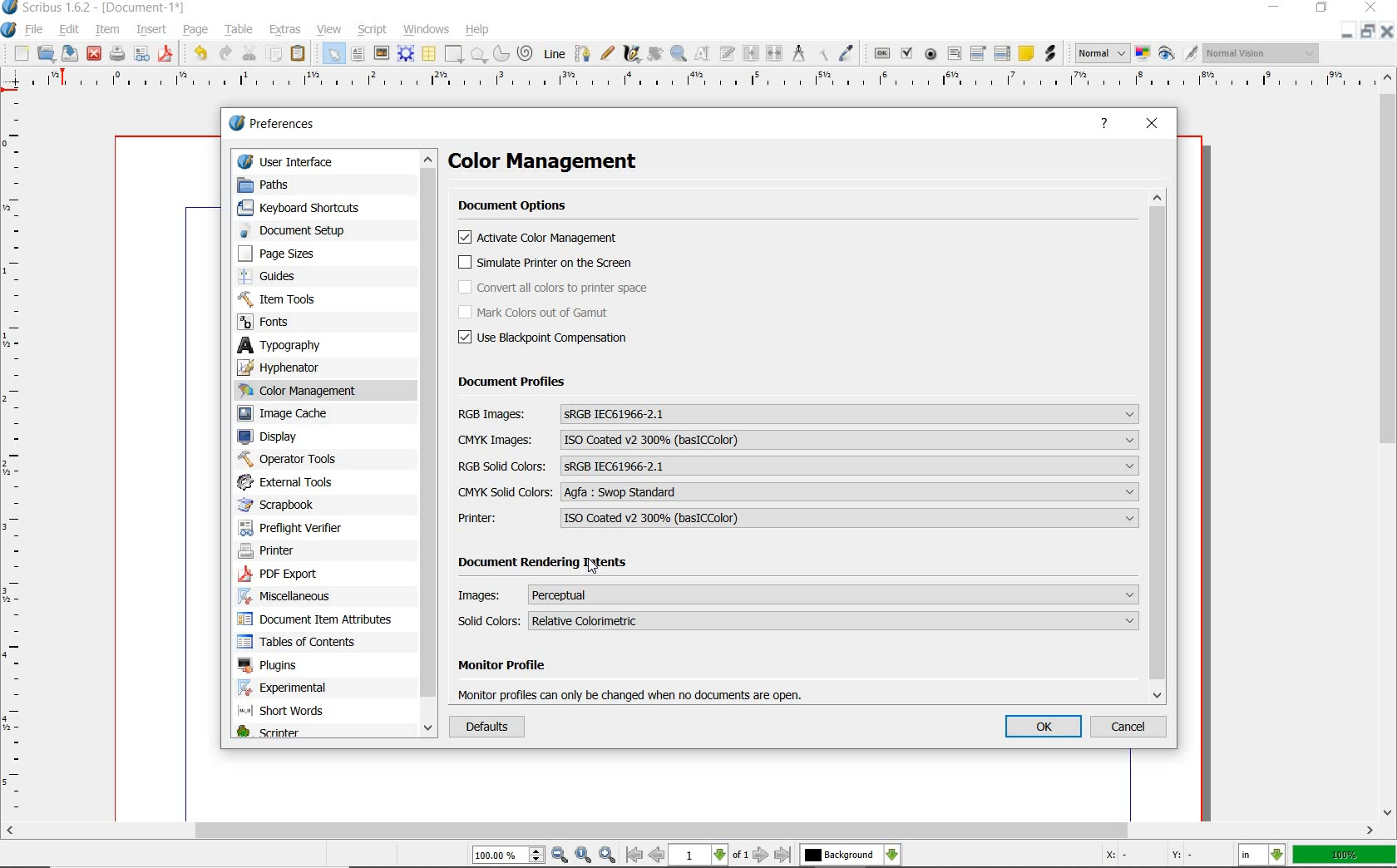 Image resolution: width=1397 pixels, height=868 pixels. Describe the element at coordinates (318, 620) in the screenshot. I see `document item attributes` at that location.